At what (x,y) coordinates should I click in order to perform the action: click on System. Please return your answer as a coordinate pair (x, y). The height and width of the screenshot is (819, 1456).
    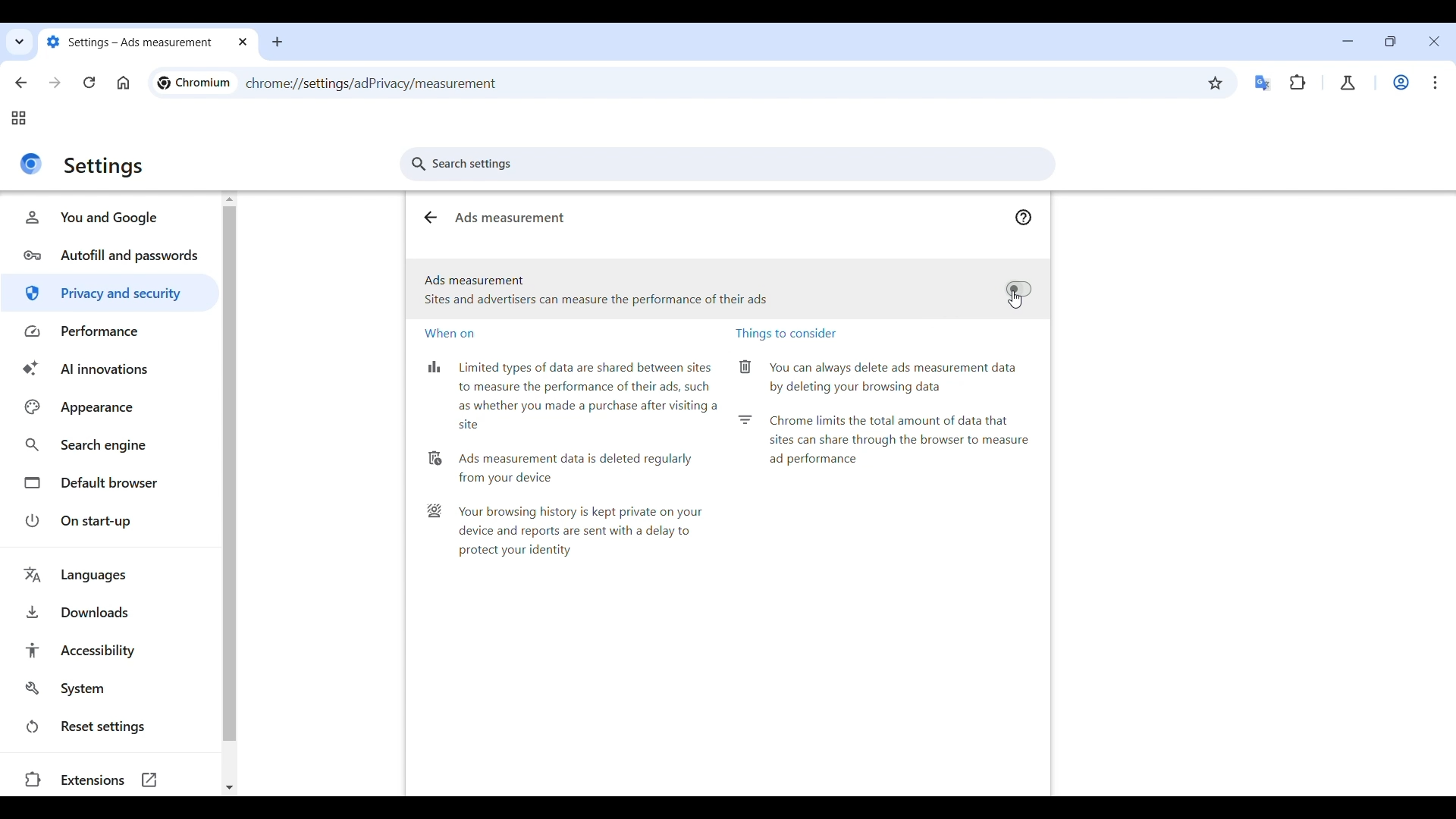
    Looking at the image, I should click on (110, 688).